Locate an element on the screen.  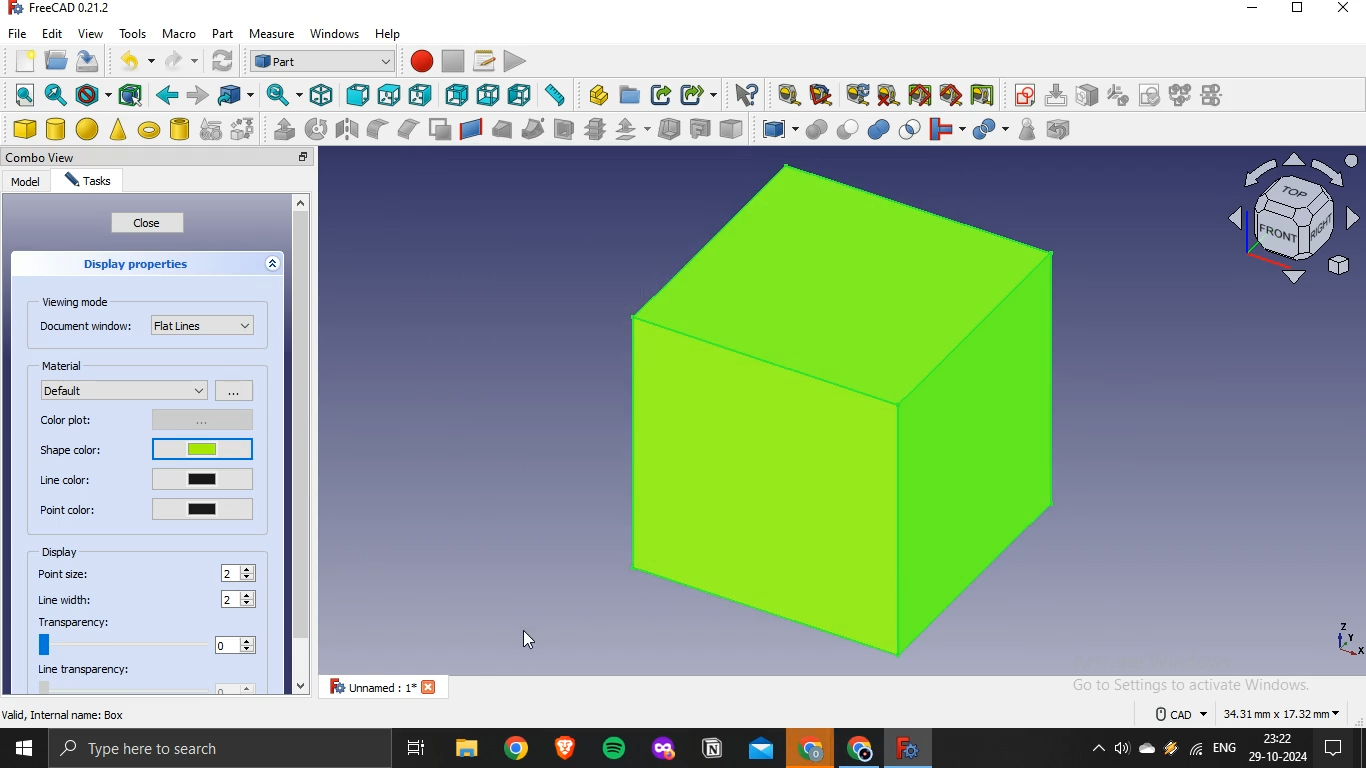
help is located at coordinates (389, 33).